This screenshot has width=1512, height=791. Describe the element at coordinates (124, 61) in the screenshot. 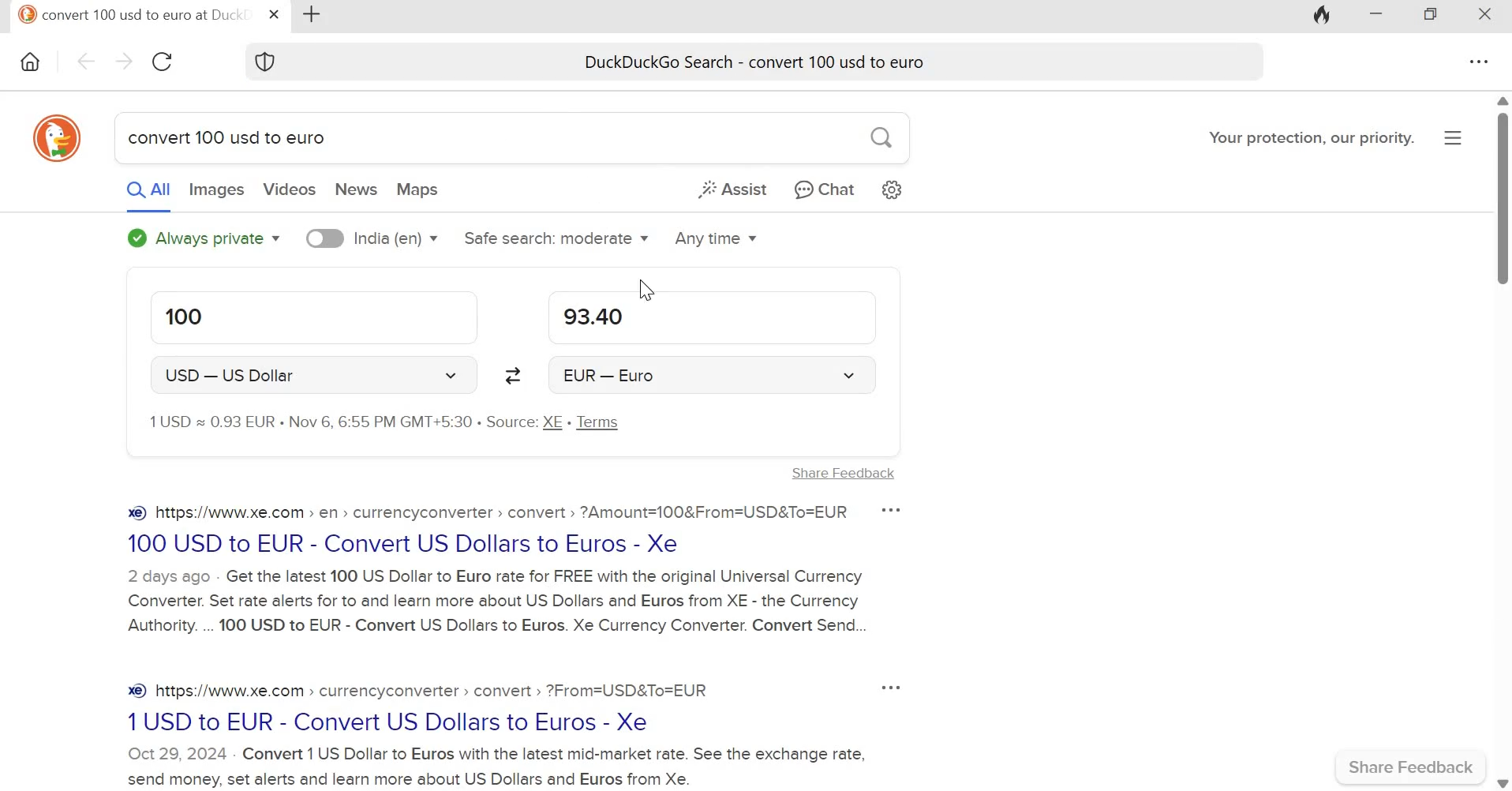

I see `Go forward one page` at that location.